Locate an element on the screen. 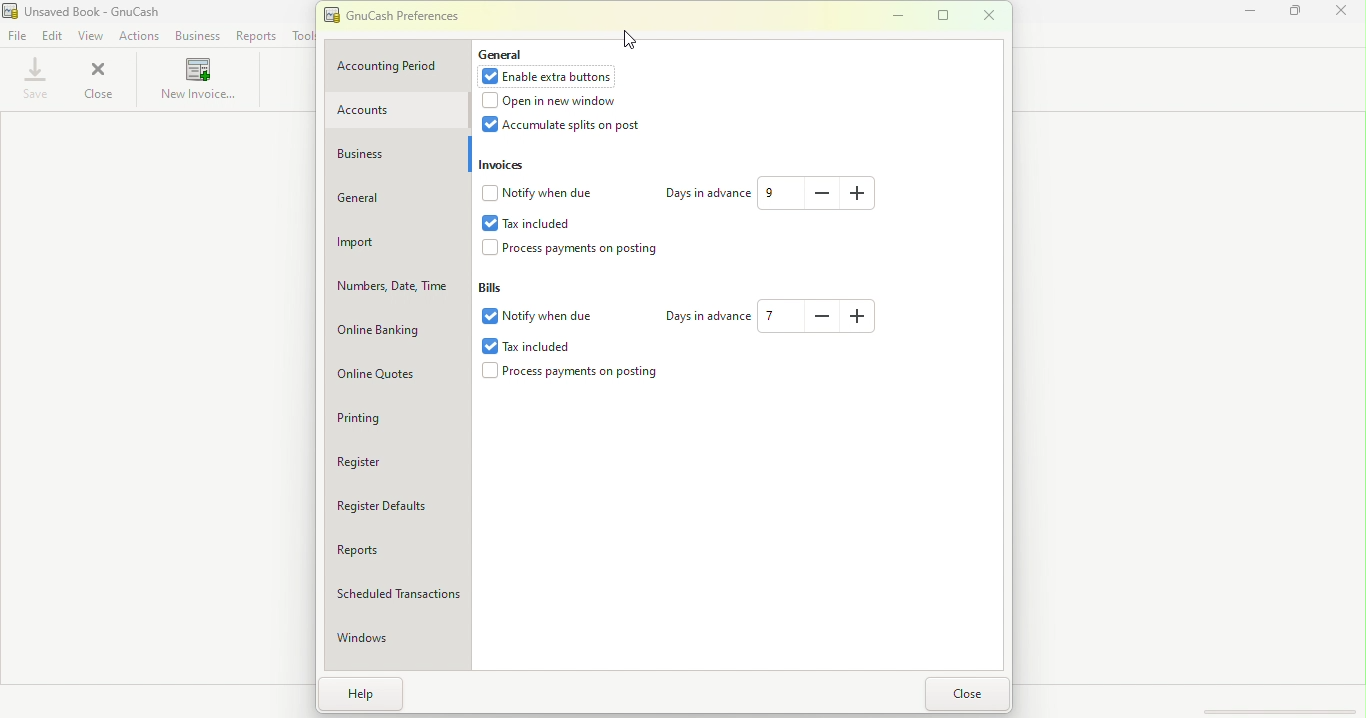 Image resolution: width=1366 pixels, height=718 pixels. Notify when due is located at coordinates (538, 196).